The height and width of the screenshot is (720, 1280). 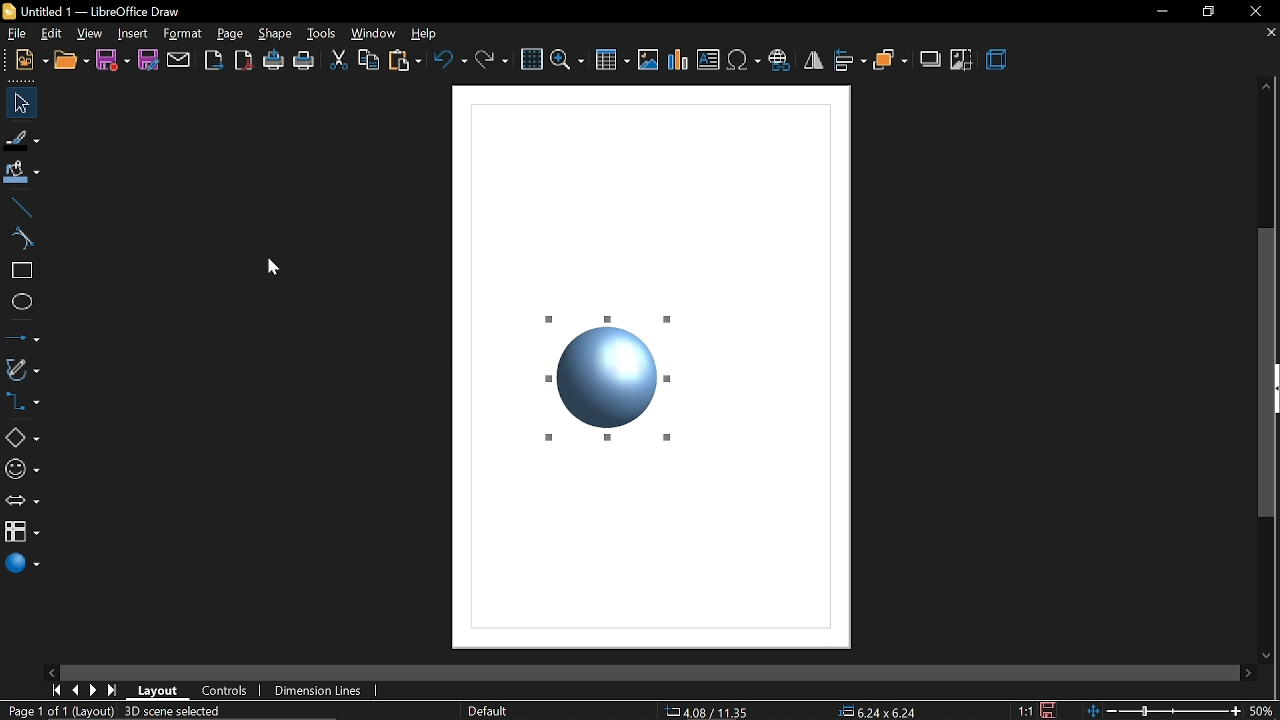 I want to click on page, so click(x=228, y=34).